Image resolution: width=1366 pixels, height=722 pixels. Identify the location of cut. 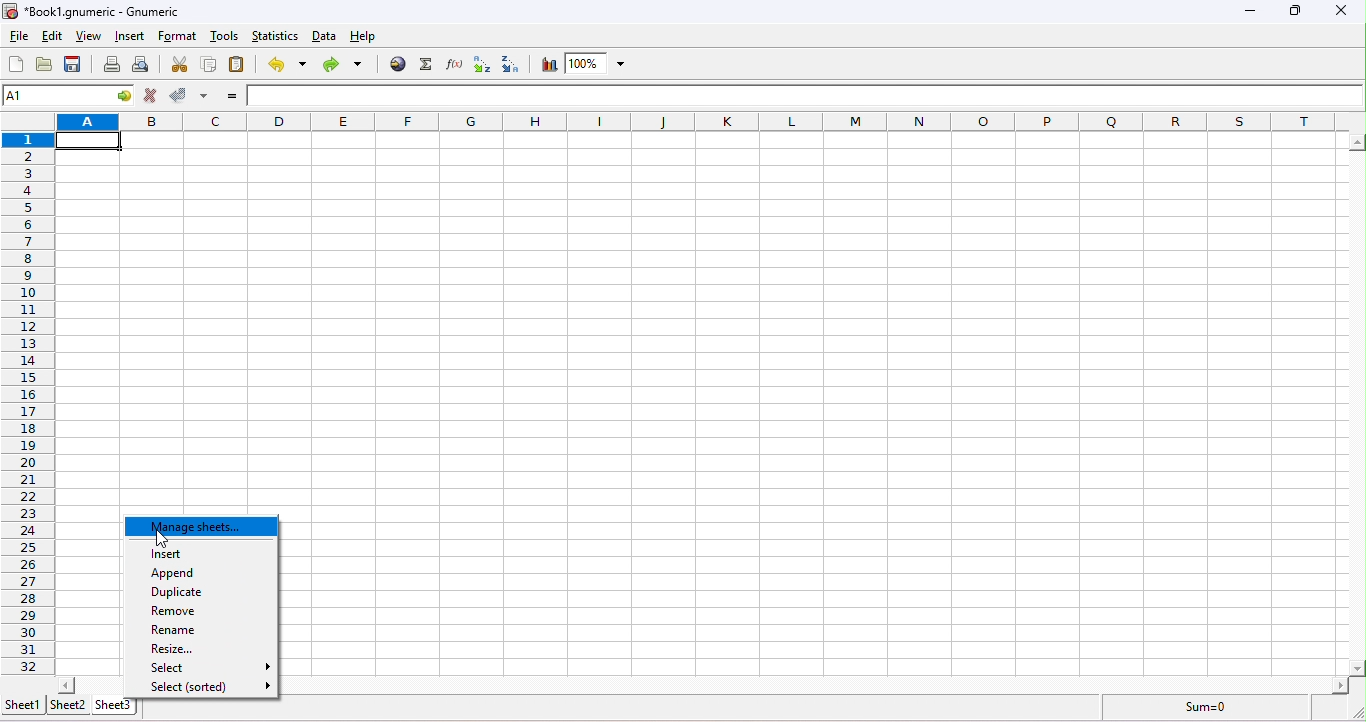
(178, 65).